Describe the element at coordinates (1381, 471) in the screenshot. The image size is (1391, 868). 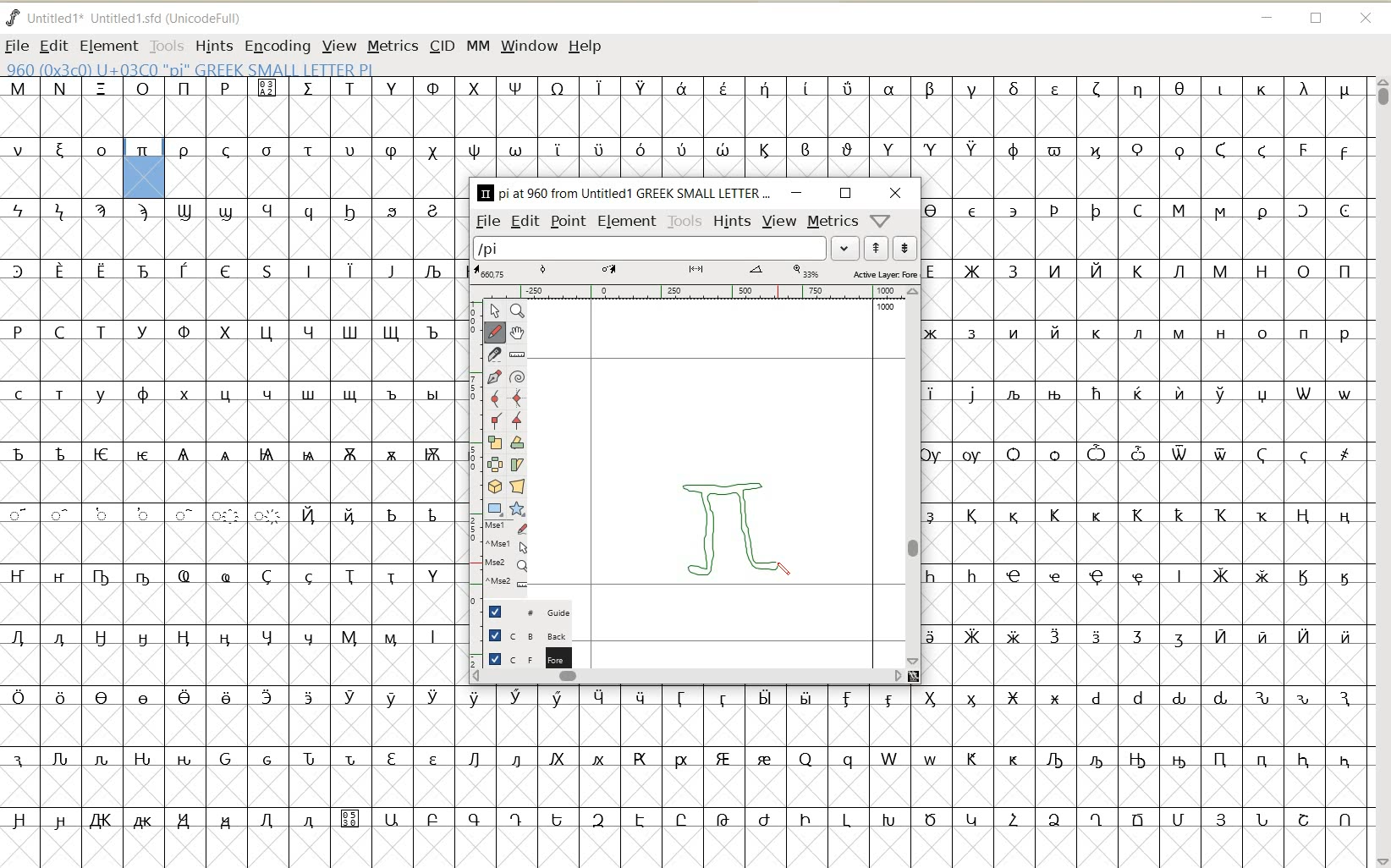
I see `SCROLLBAR` at that location.